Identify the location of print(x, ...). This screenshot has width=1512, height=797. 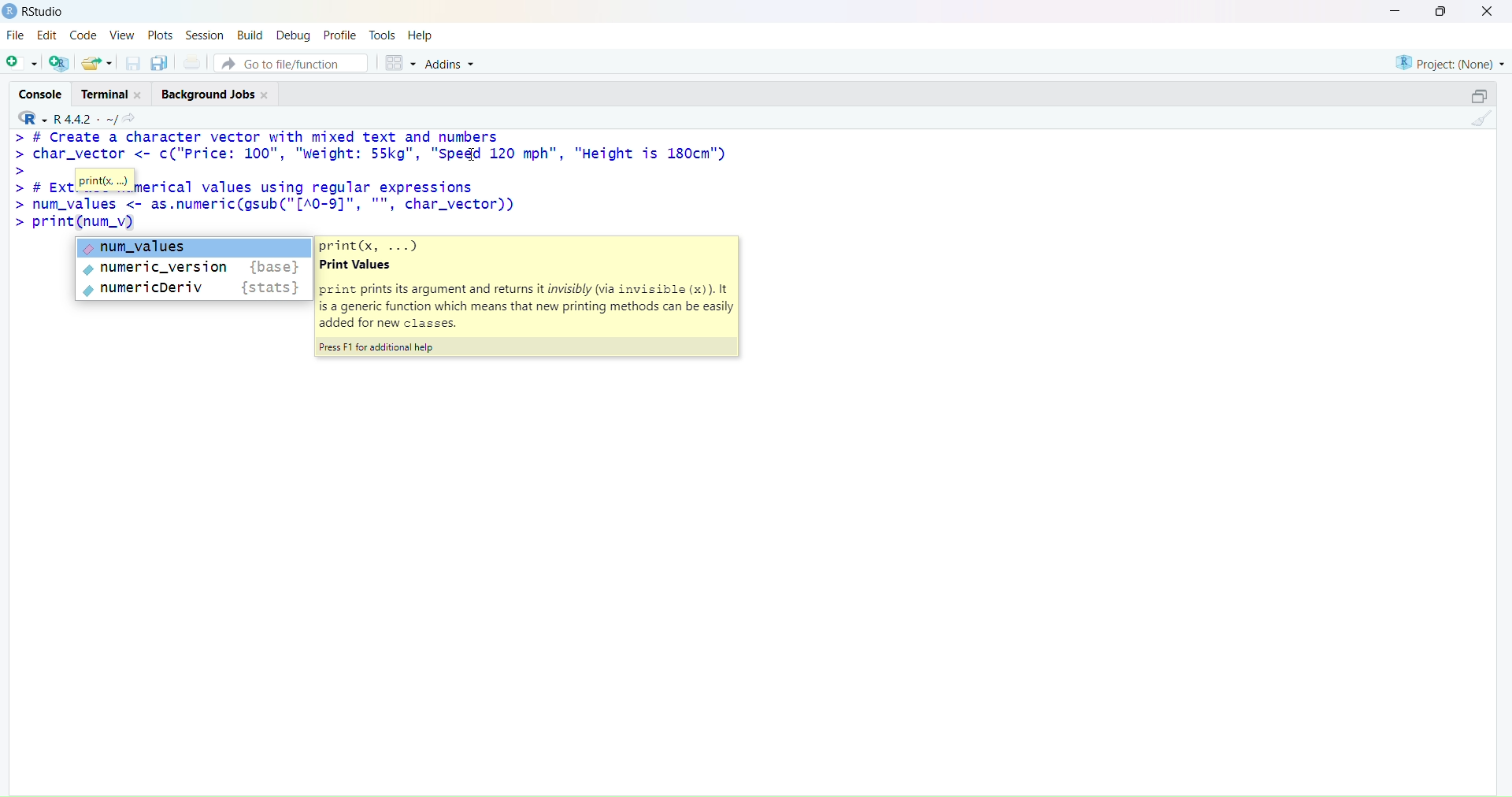
(371, 246).